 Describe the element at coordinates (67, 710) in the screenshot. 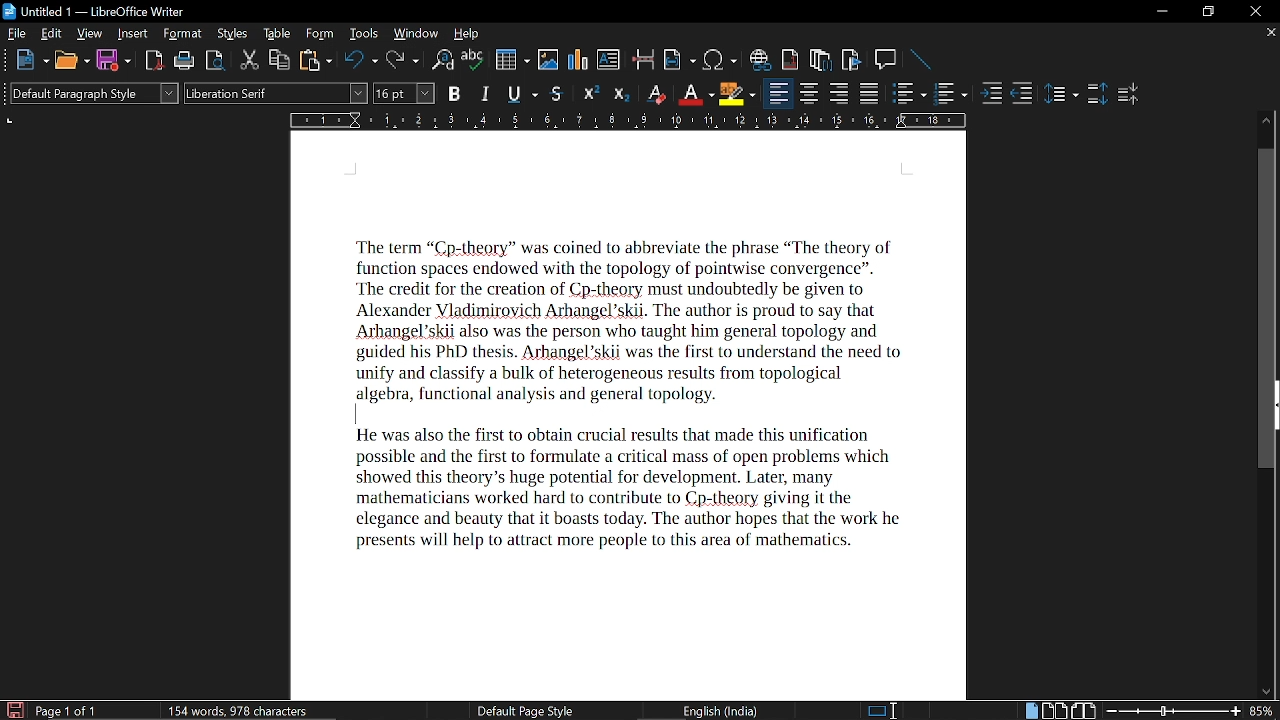

I see `Current page: page 1 of 1` at that location.